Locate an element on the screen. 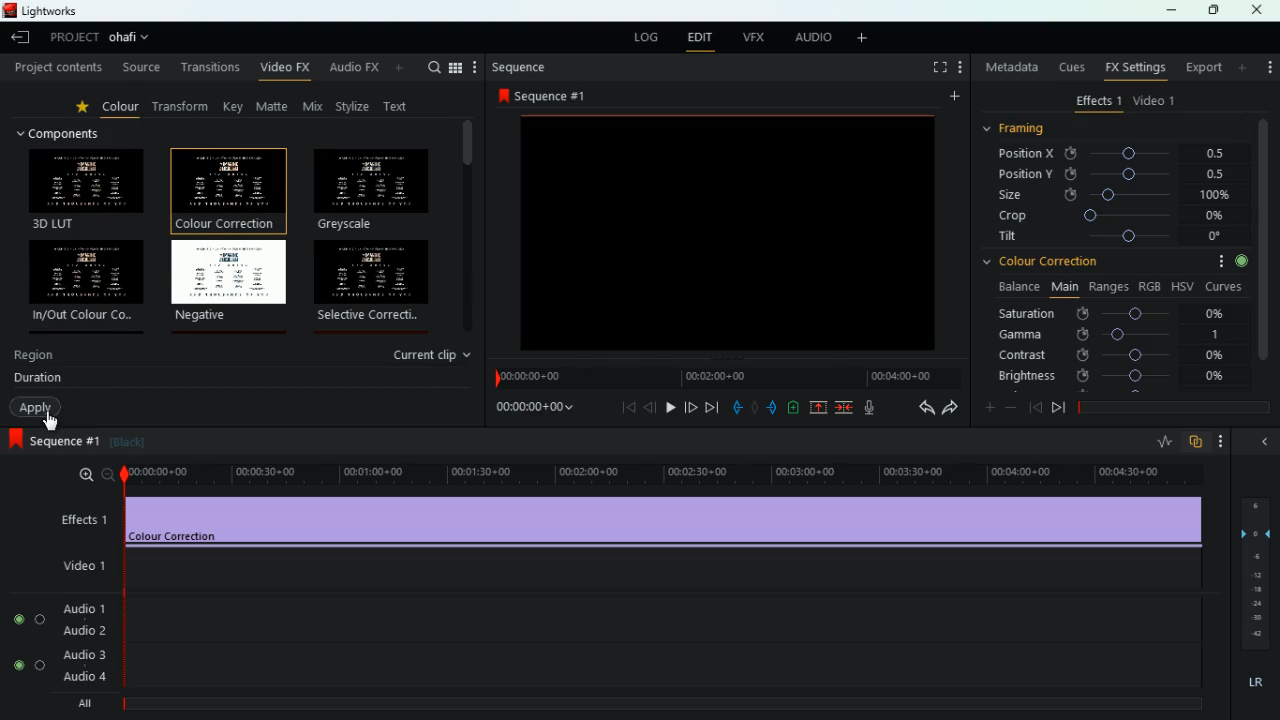  components is located at coordinates (68, 133).